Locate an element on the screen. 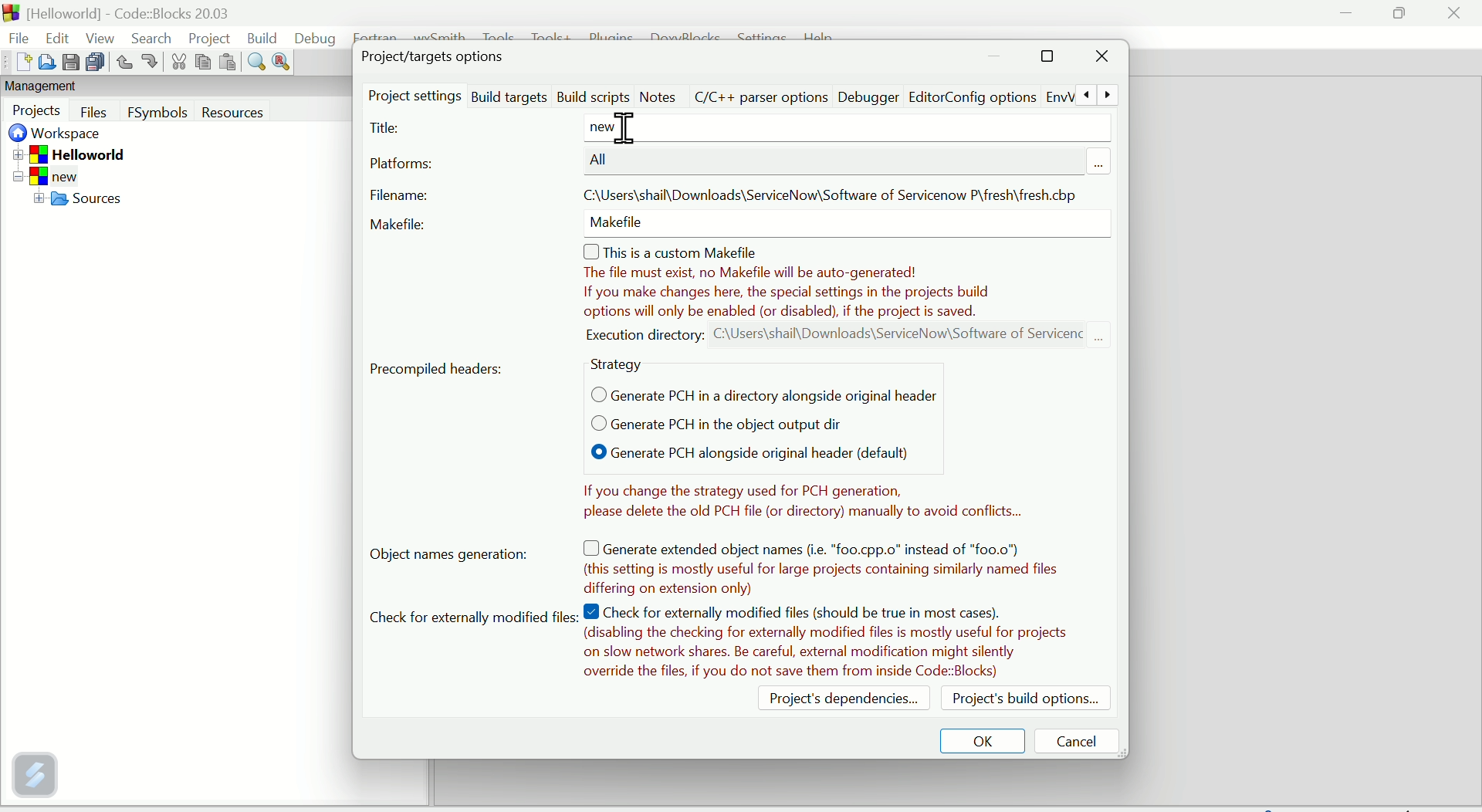   is located at coordinates (149, 61).